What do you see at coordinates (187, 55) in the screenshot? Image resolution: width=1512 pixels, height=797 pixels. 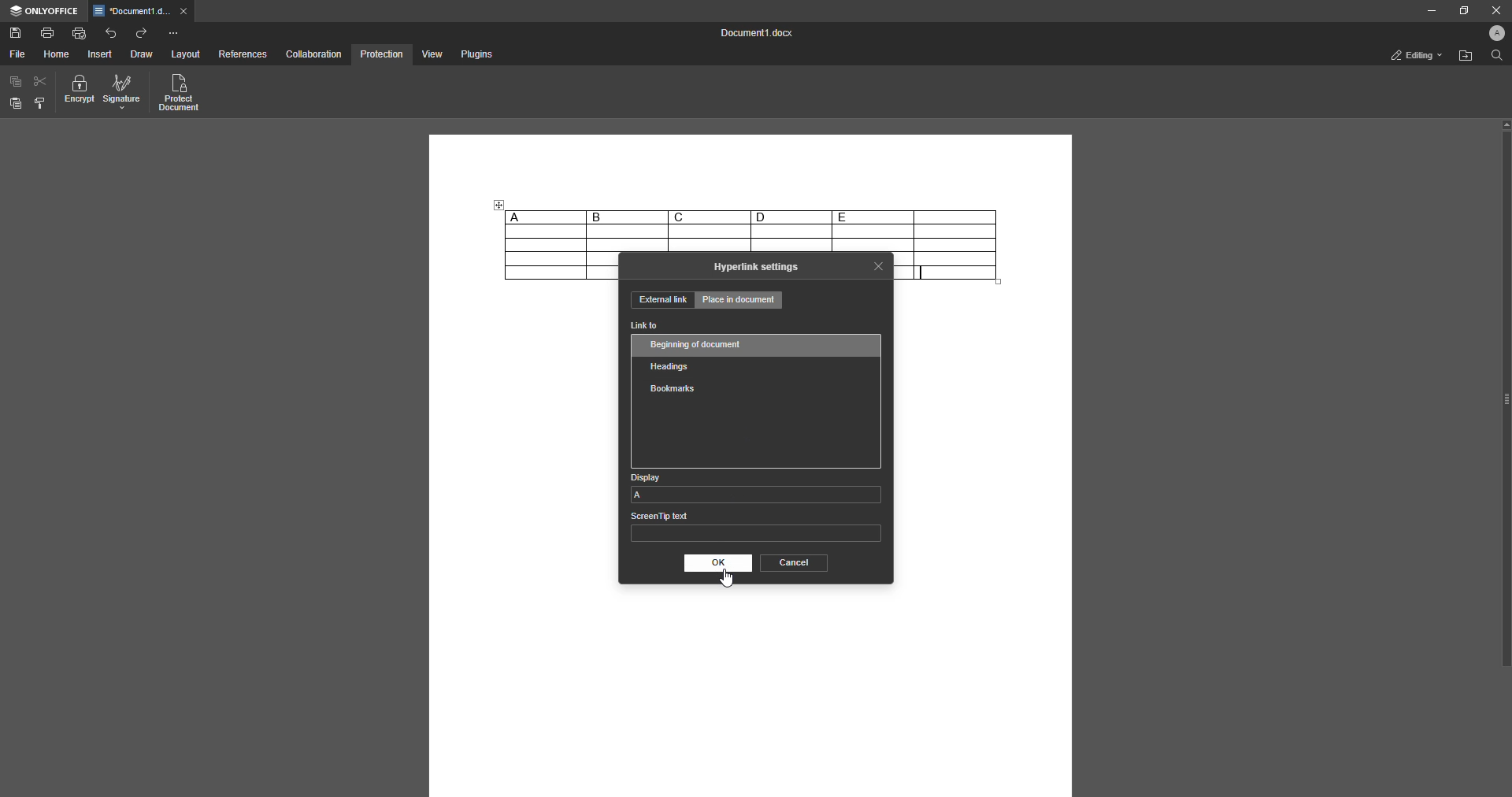 I see `layout` at bounding box center [187, 55].